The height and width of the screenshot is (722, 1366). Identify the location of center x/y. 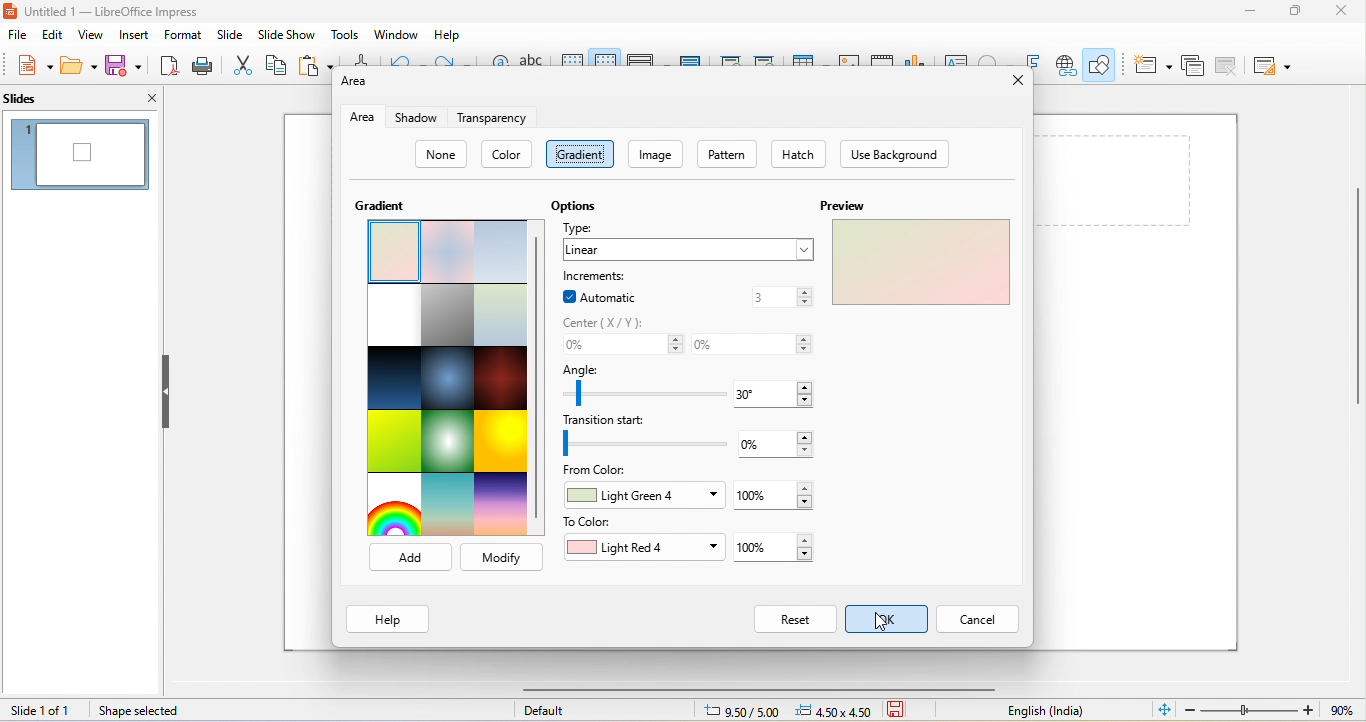
(609, 324).